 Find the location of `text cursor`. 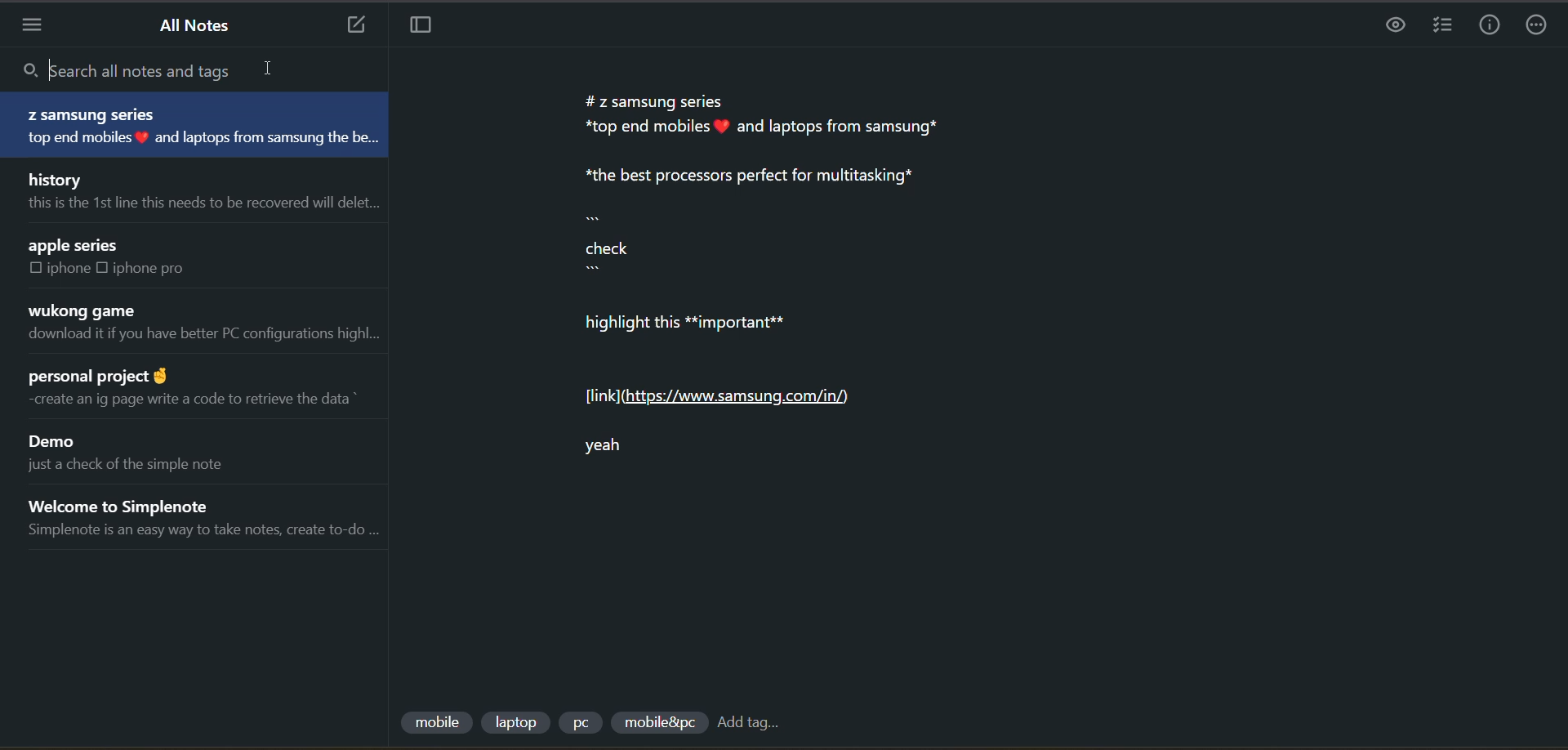

text cursor is located at coordinates (51, 69).